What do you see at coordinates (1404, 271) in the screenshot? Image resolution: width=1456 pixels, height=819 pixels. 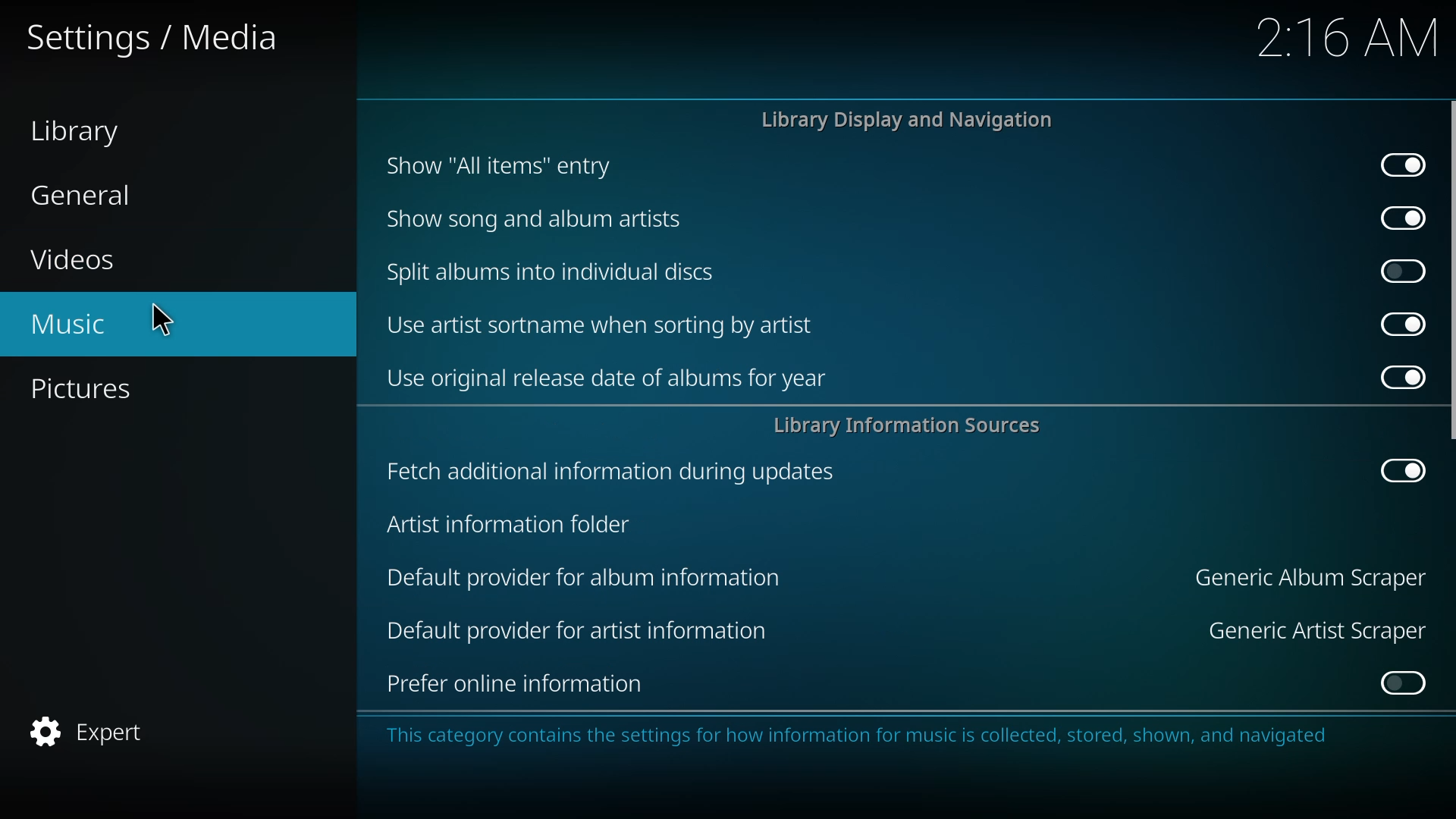 I see `click to enable` at bounding box center [1404, 271].